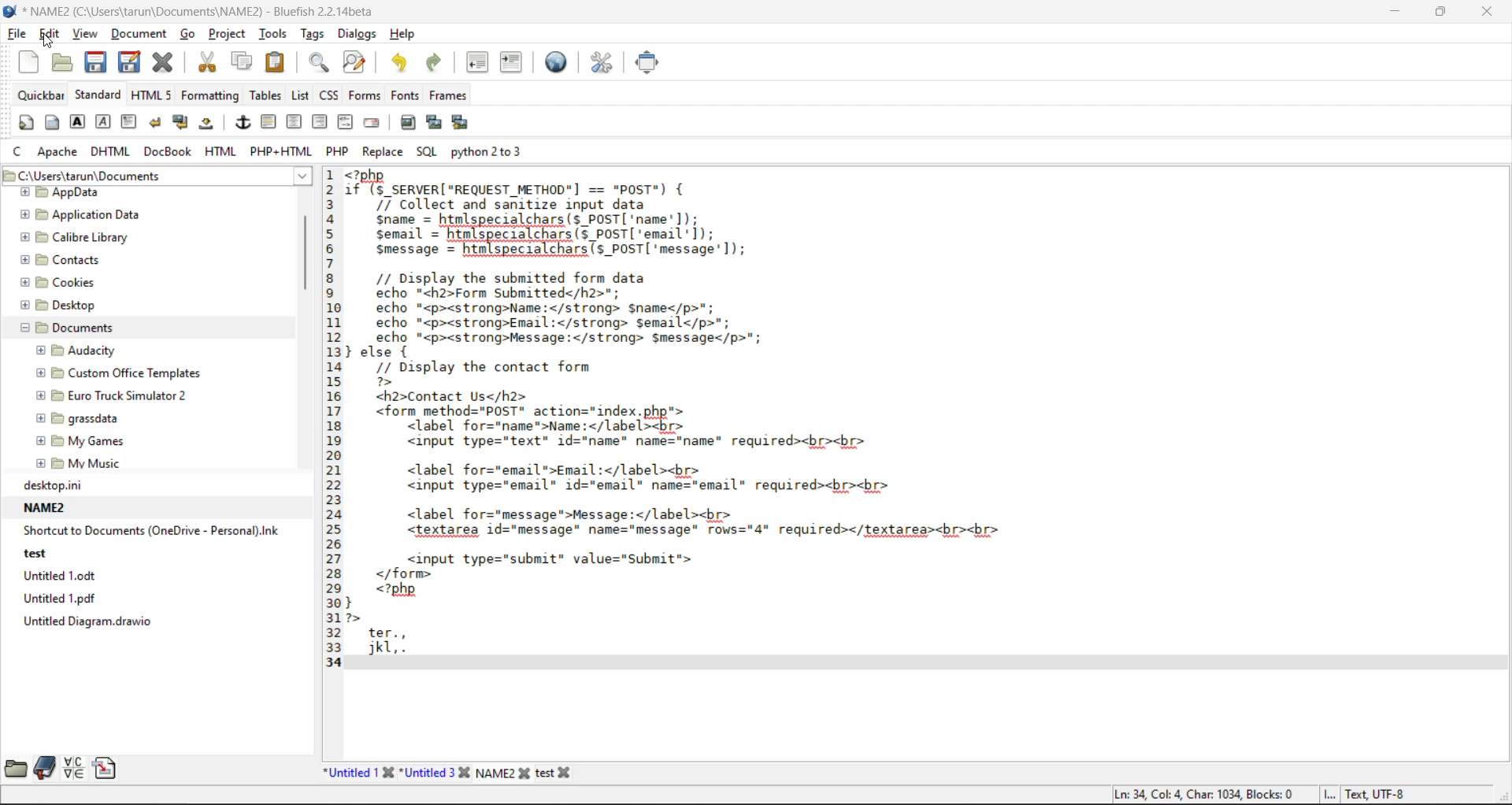 The height and width of the screenshot is (805, 1512). What do you see at coordinates (83, 34) in the screenshot?
I see `view` at bounding box center [83, 34].